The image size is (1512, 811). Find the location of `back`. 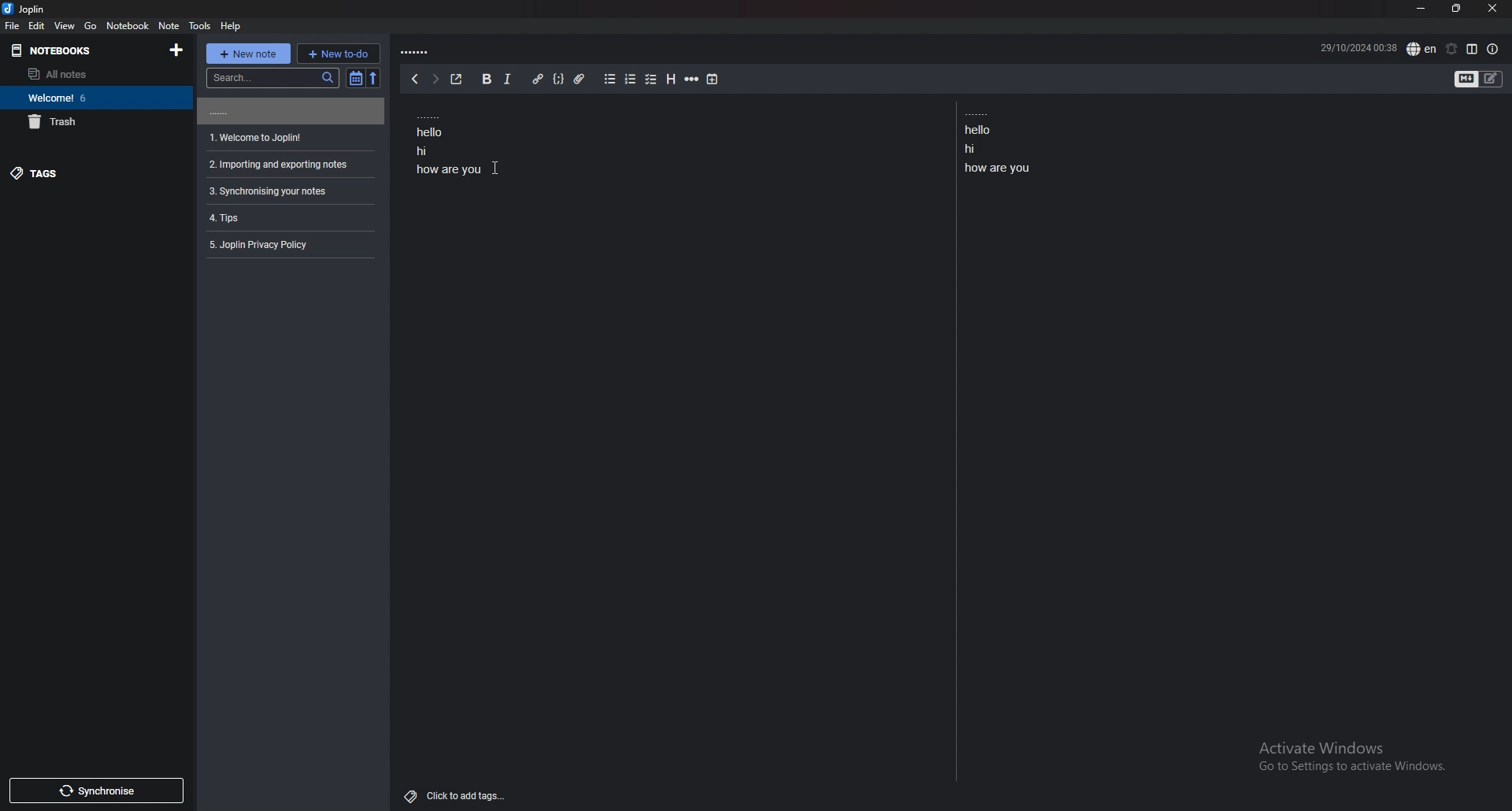

back is located at coordinates (415, 79).